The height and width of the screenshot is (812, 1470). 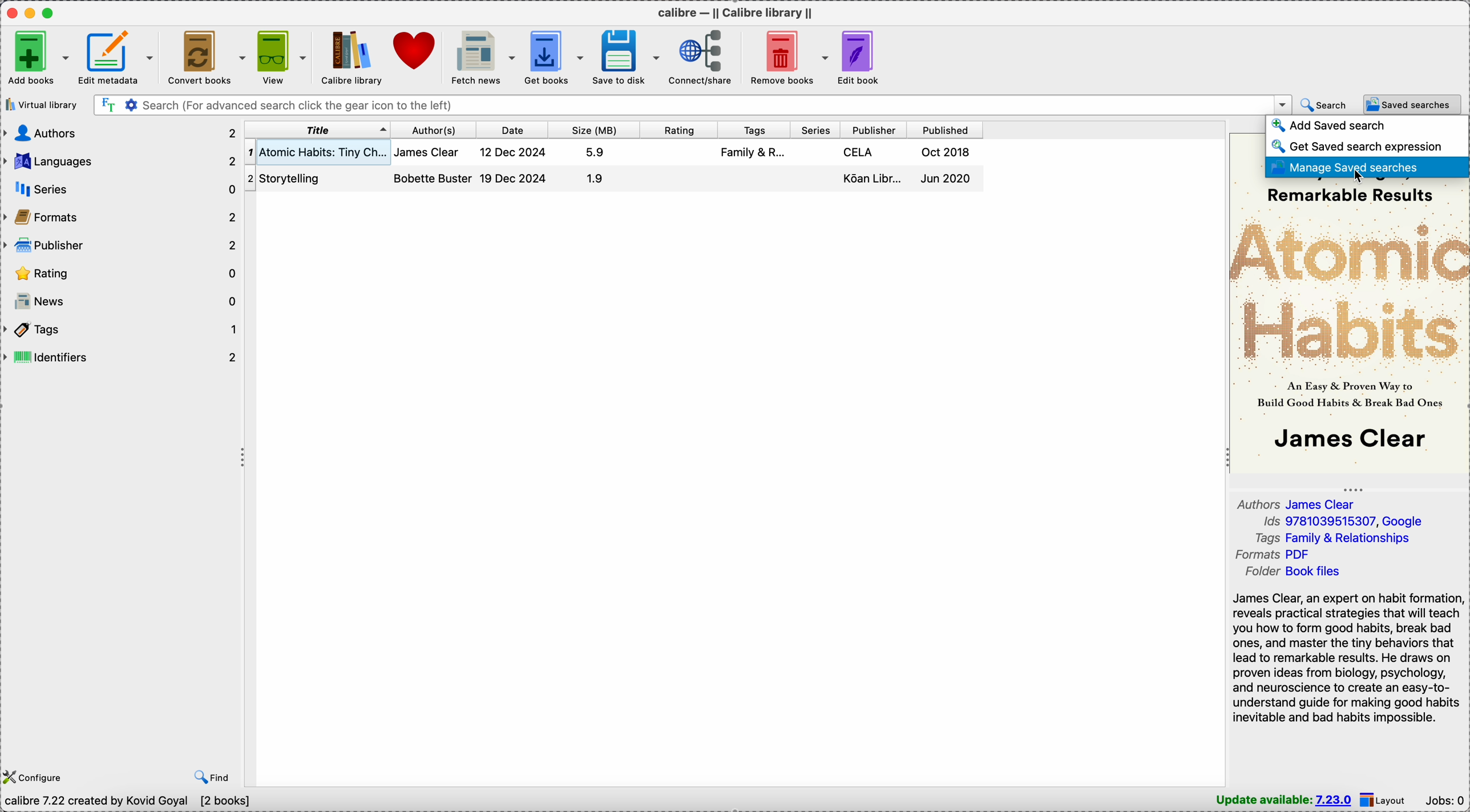 What do you see at coordinates (1297, 572) in the screenshot?
I see `folder: book files` at bounding box center [1297, 572].